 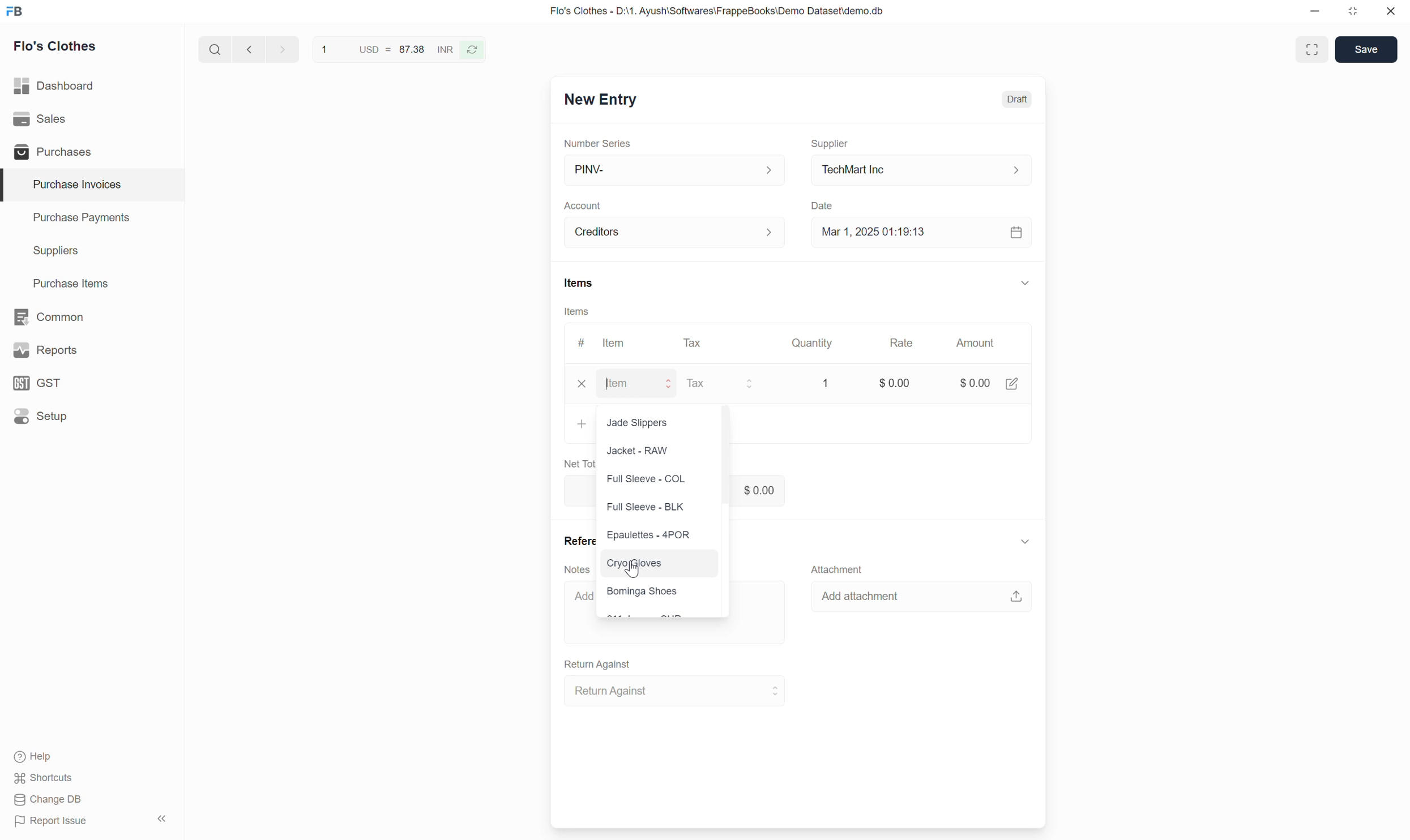 What do you see at coordinates (45, 351) in the screenshot?
I see `y Reports` at bounding box center [45, 351].